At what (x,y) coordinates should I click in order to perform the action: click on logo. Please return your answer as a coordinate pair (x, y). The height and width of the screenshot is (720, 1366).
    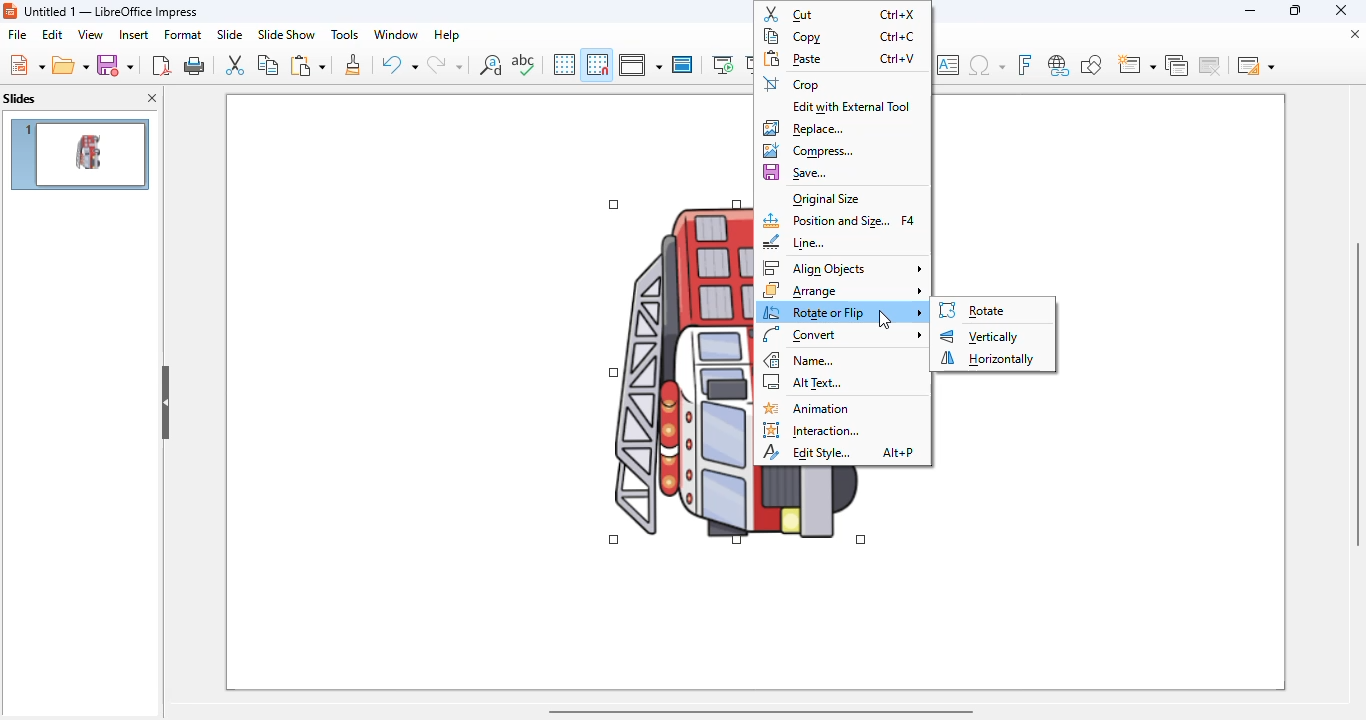
    Looking at the image, I should click on (10, 10).